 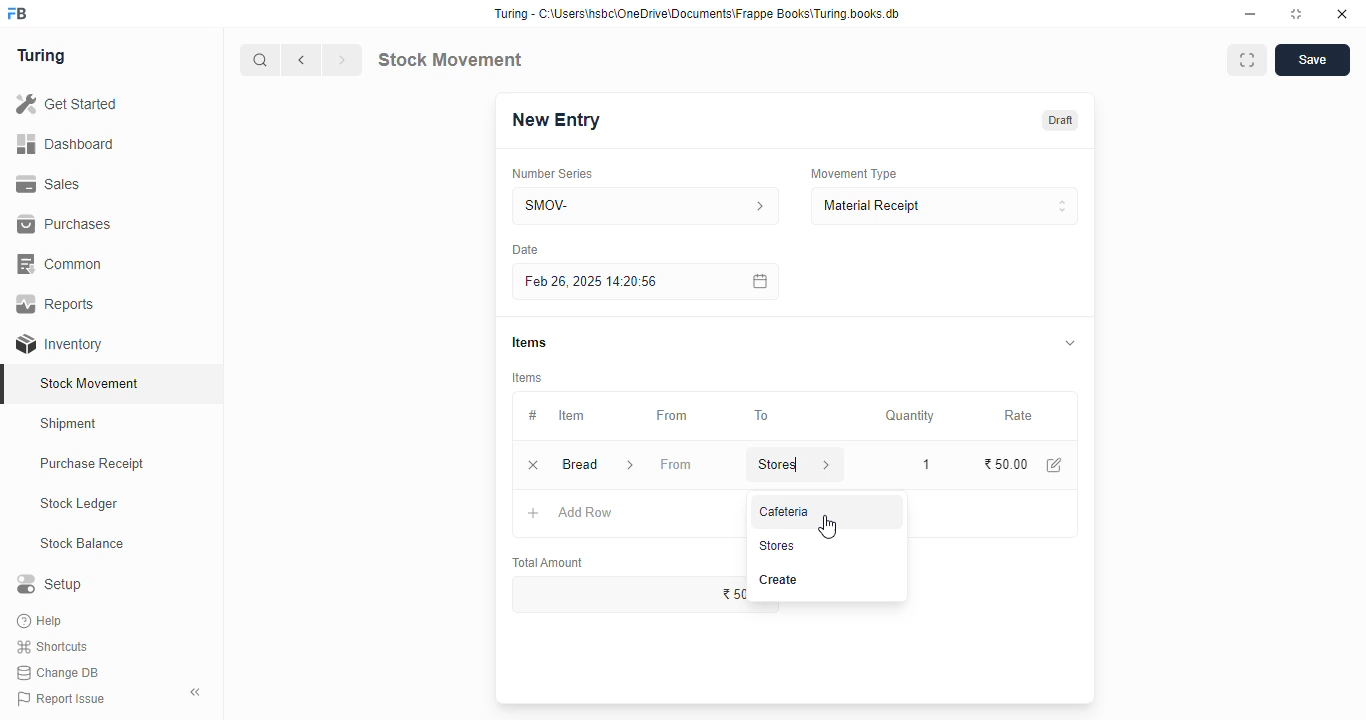 What do you see at coordinates (68, 104) in the screenshot?
I see `get started` at bounding box center [68, 104].